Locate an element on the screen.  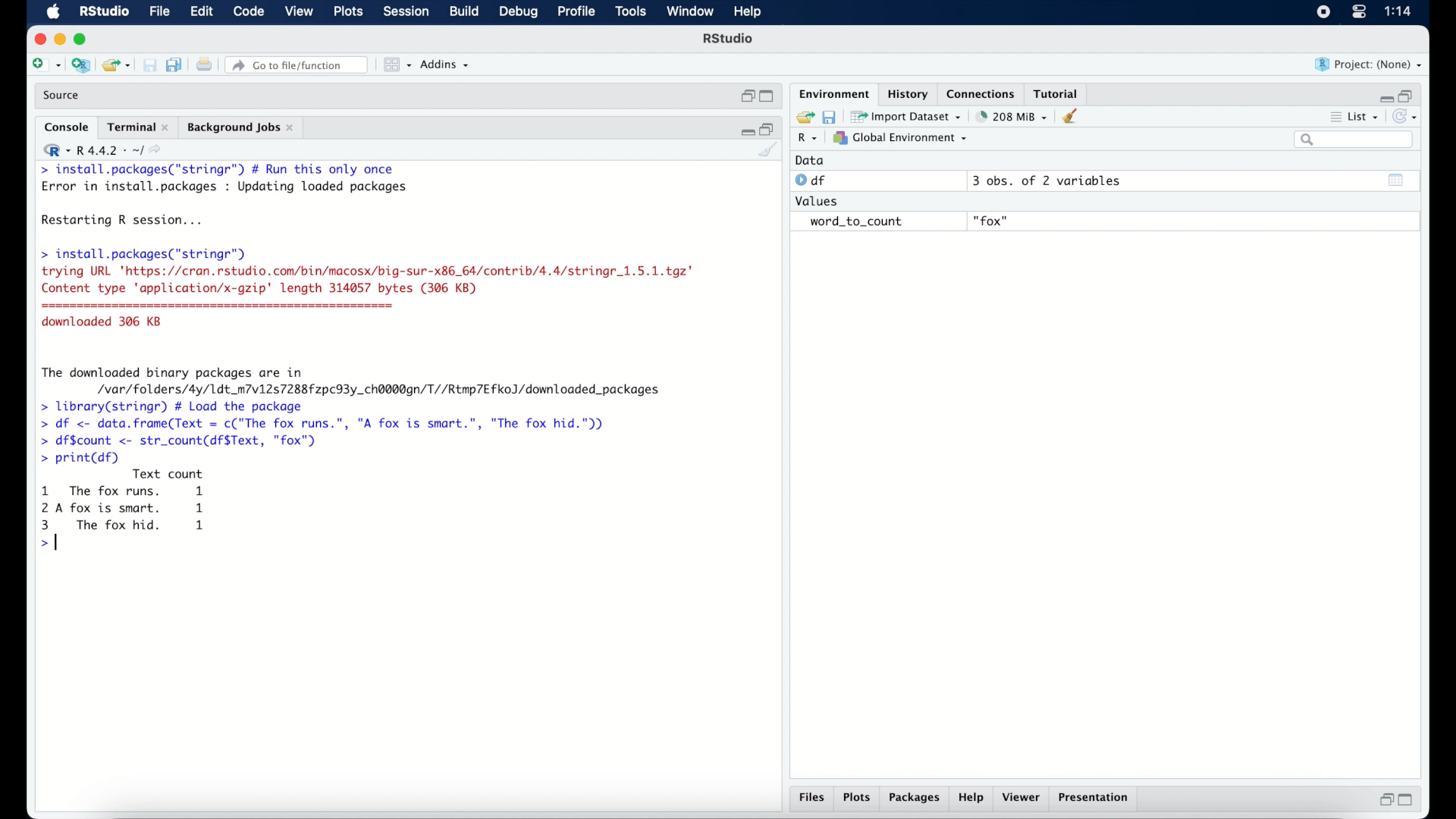
minimize is located at coordinates (59, 39).